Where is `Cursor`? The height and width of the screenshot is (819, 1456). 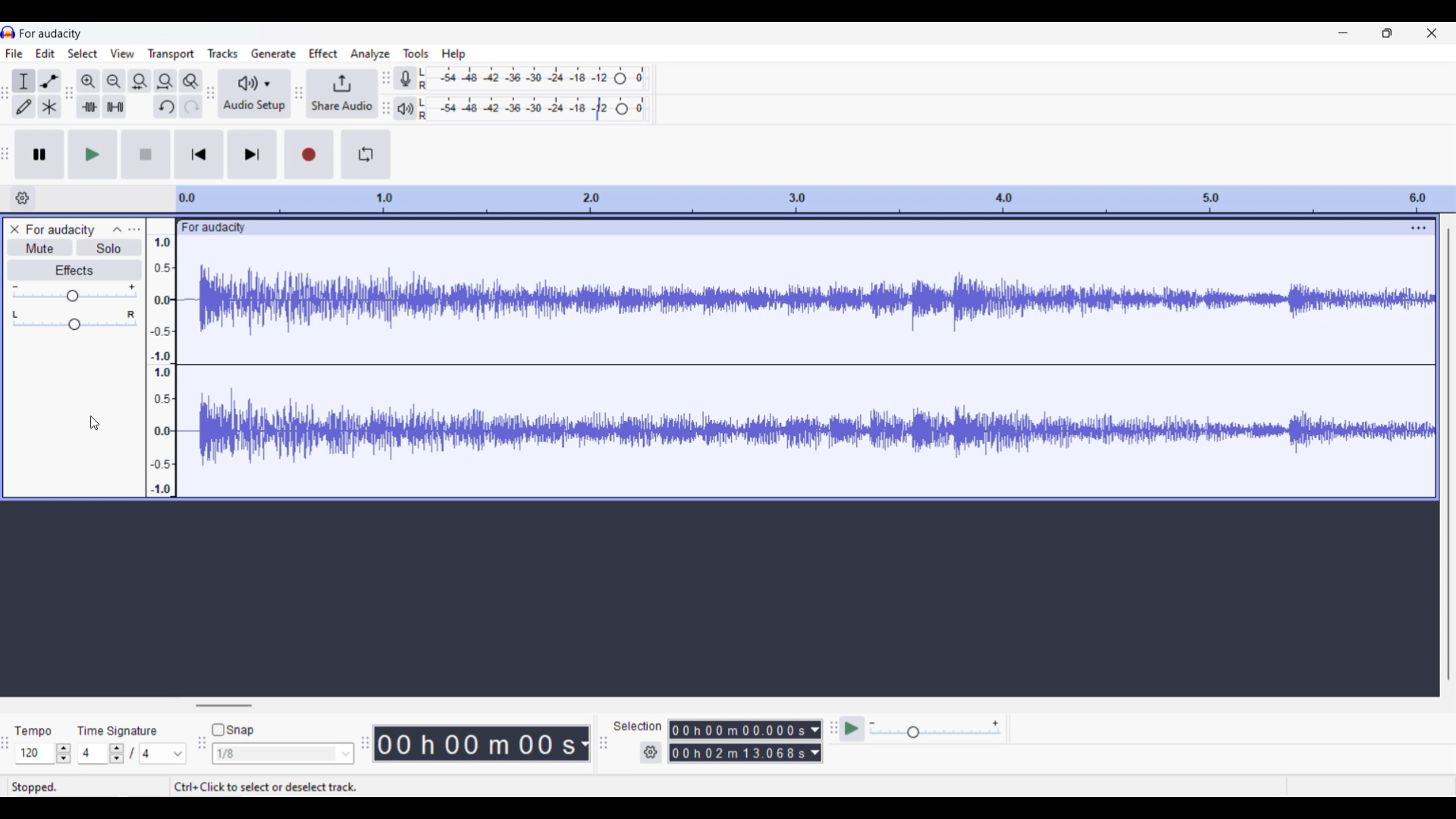
Cursor is located at coordinates (95, 423).